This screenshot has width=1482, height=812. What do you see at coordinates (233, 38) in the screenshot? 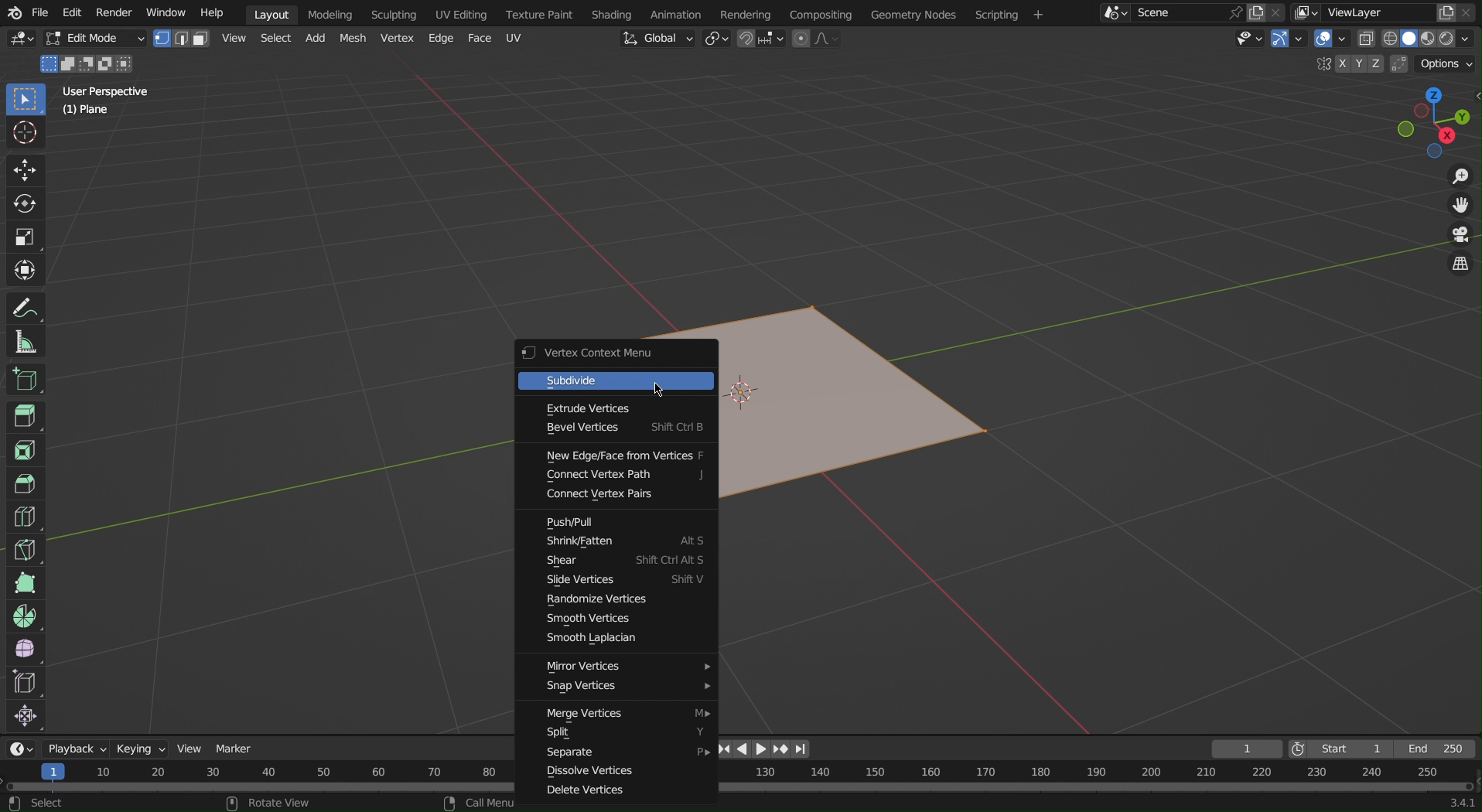
I see `View` at bounding box center [233, 38].